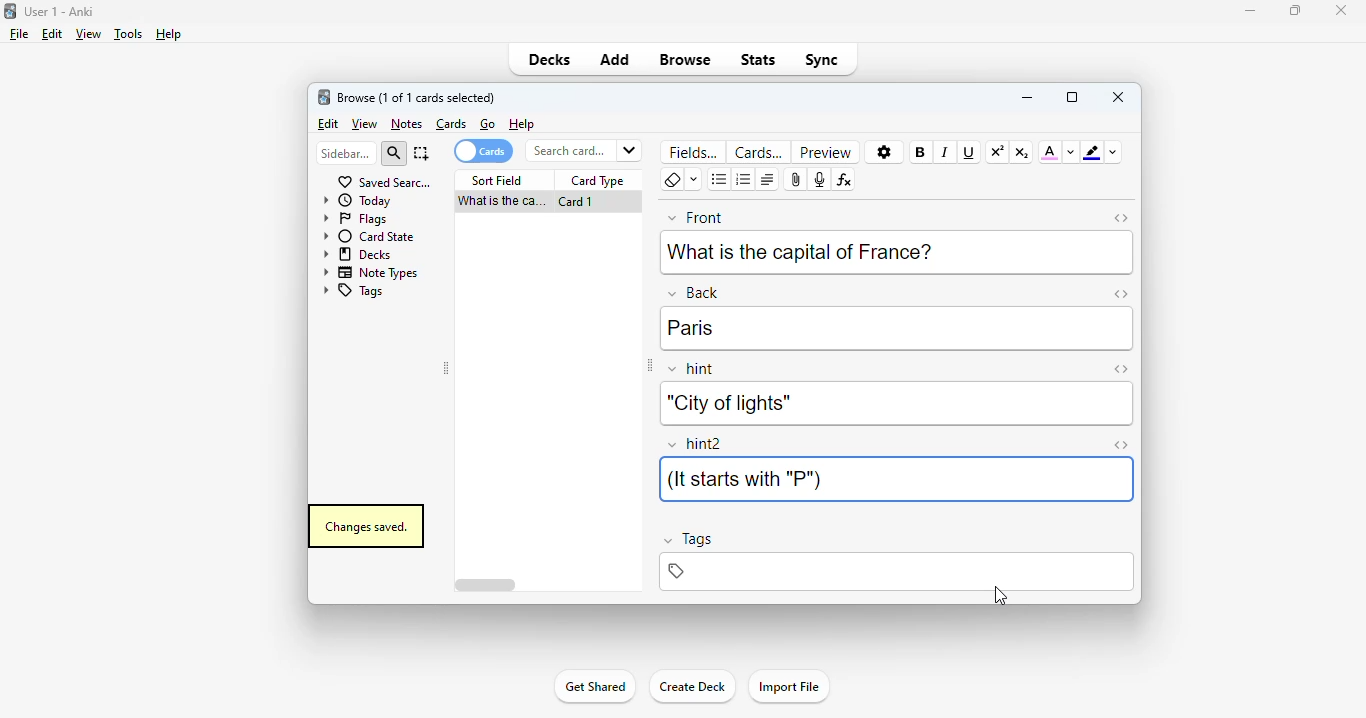  What do you see at coordinates (695, 151) in the screenshot?
I see `fields` at bounding box center [695, 151].